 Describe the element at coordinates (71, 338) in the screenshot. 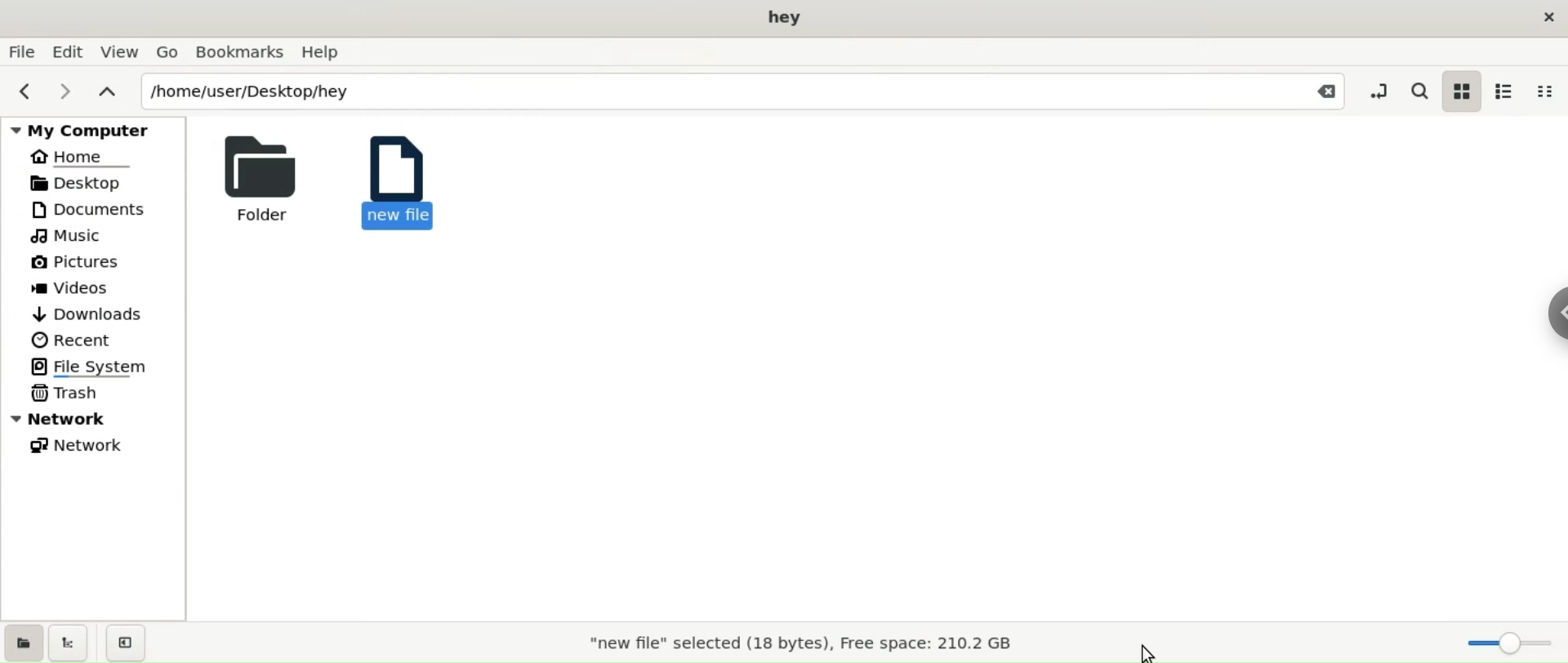

I see `Recent` at that location.